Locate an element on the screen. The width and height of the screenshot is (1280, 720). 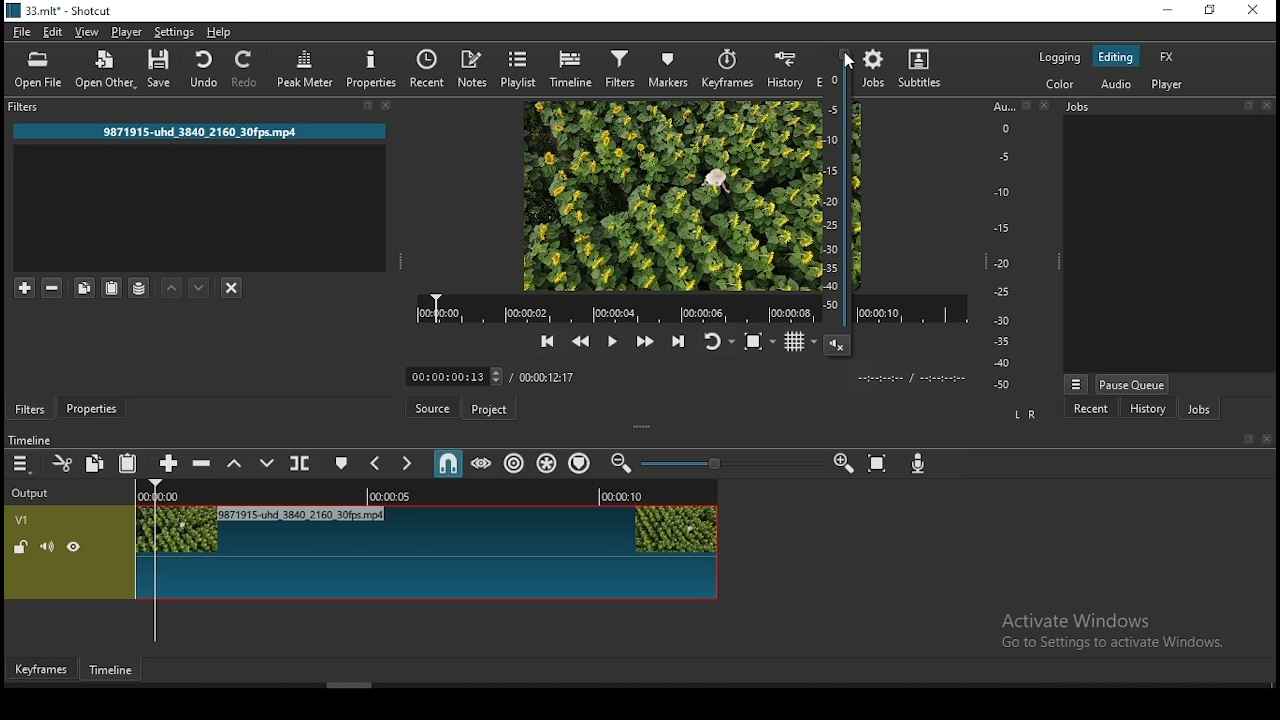
close is located at coordinates (1267, 441).